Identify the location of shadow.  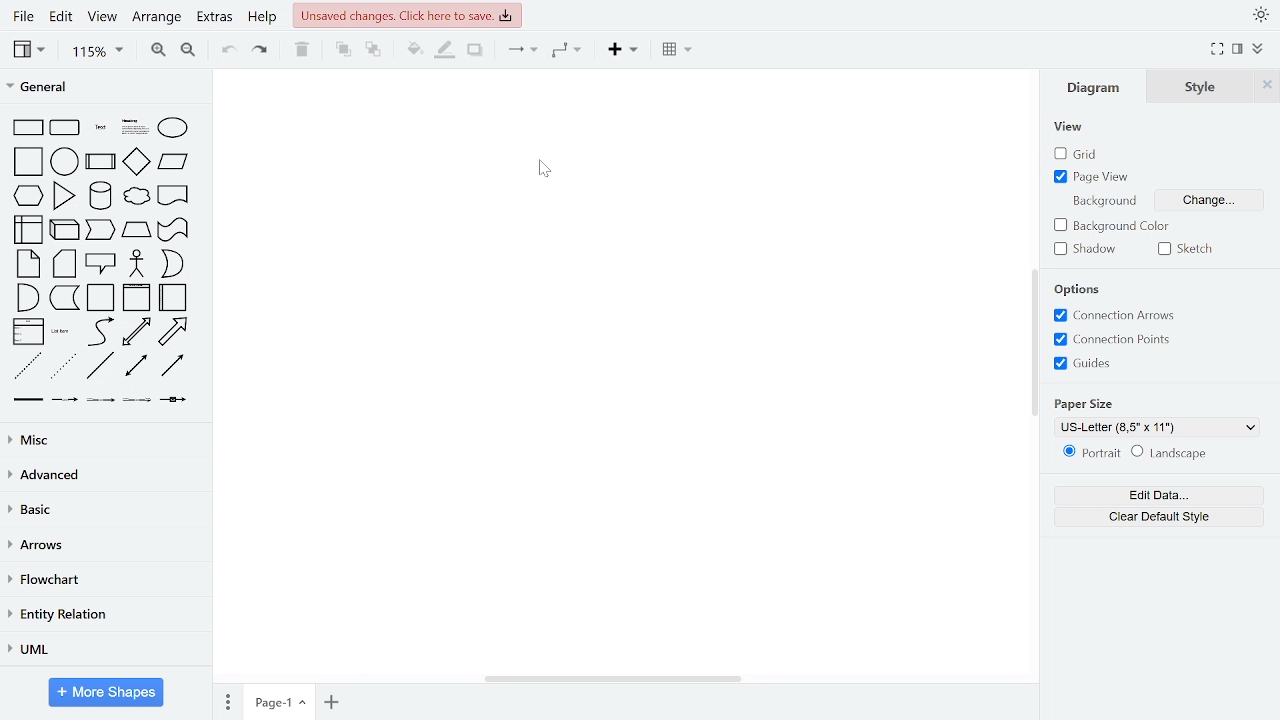
(1087, 251).